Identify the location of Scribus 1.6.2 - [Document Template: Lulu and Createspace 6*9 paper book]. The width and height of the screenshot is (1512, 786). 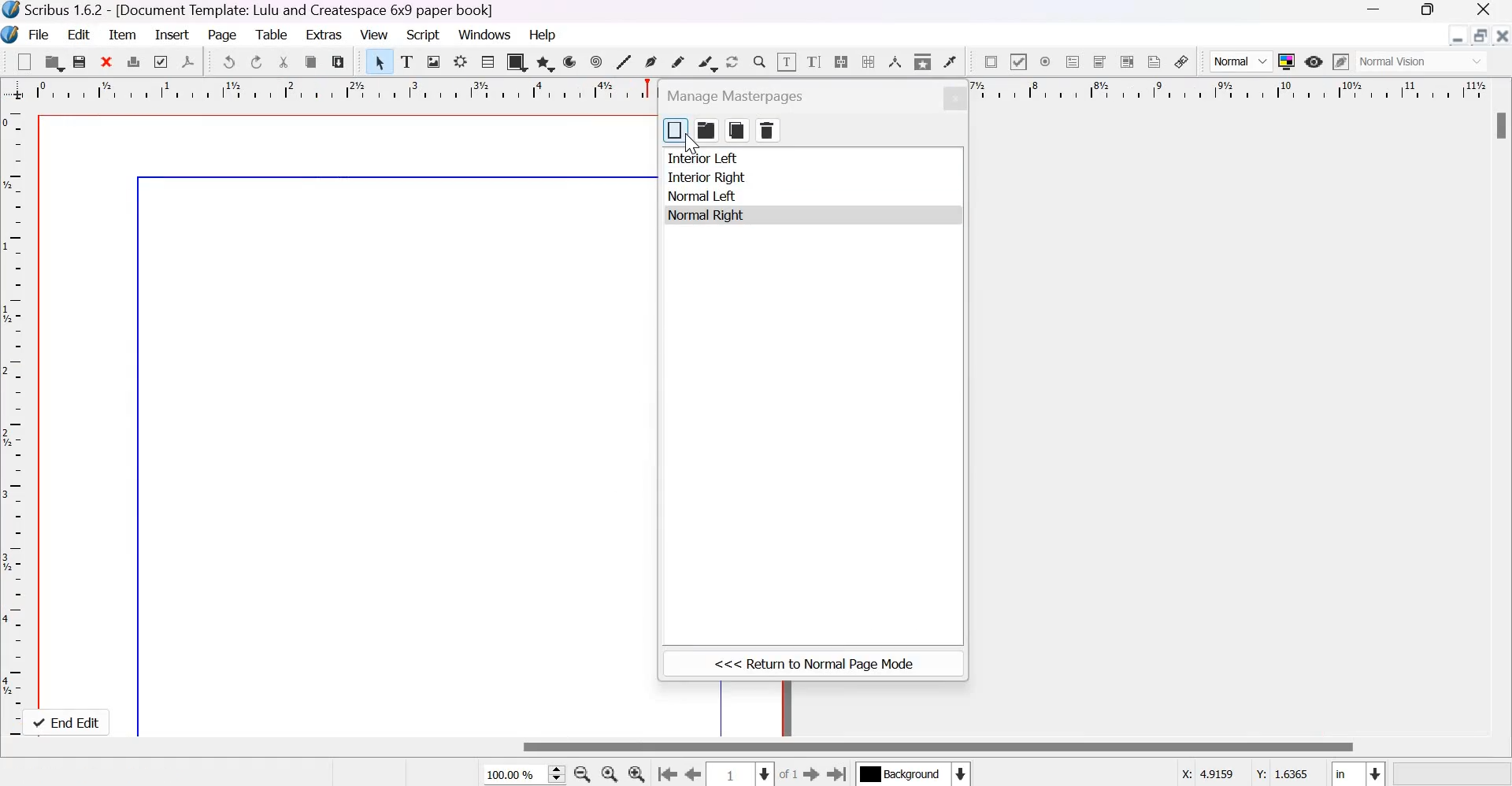
(250, 10).